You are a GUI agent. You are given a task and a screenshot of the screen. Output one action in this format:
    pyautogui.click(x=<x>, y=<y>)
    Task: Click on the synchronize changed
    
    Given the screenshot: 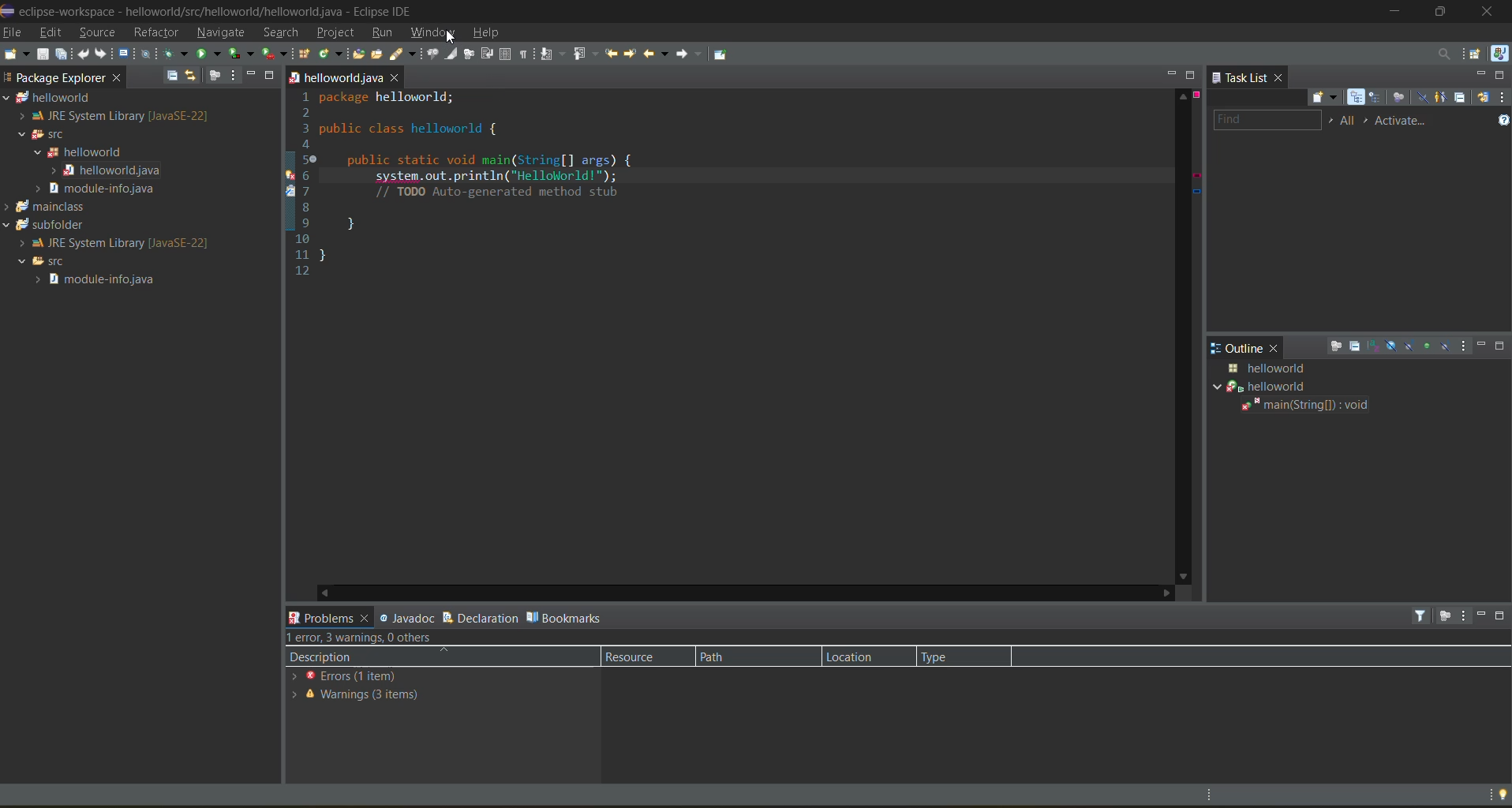 What is the action you would take?
    pyautogui.click(x=1484, y=99)
    